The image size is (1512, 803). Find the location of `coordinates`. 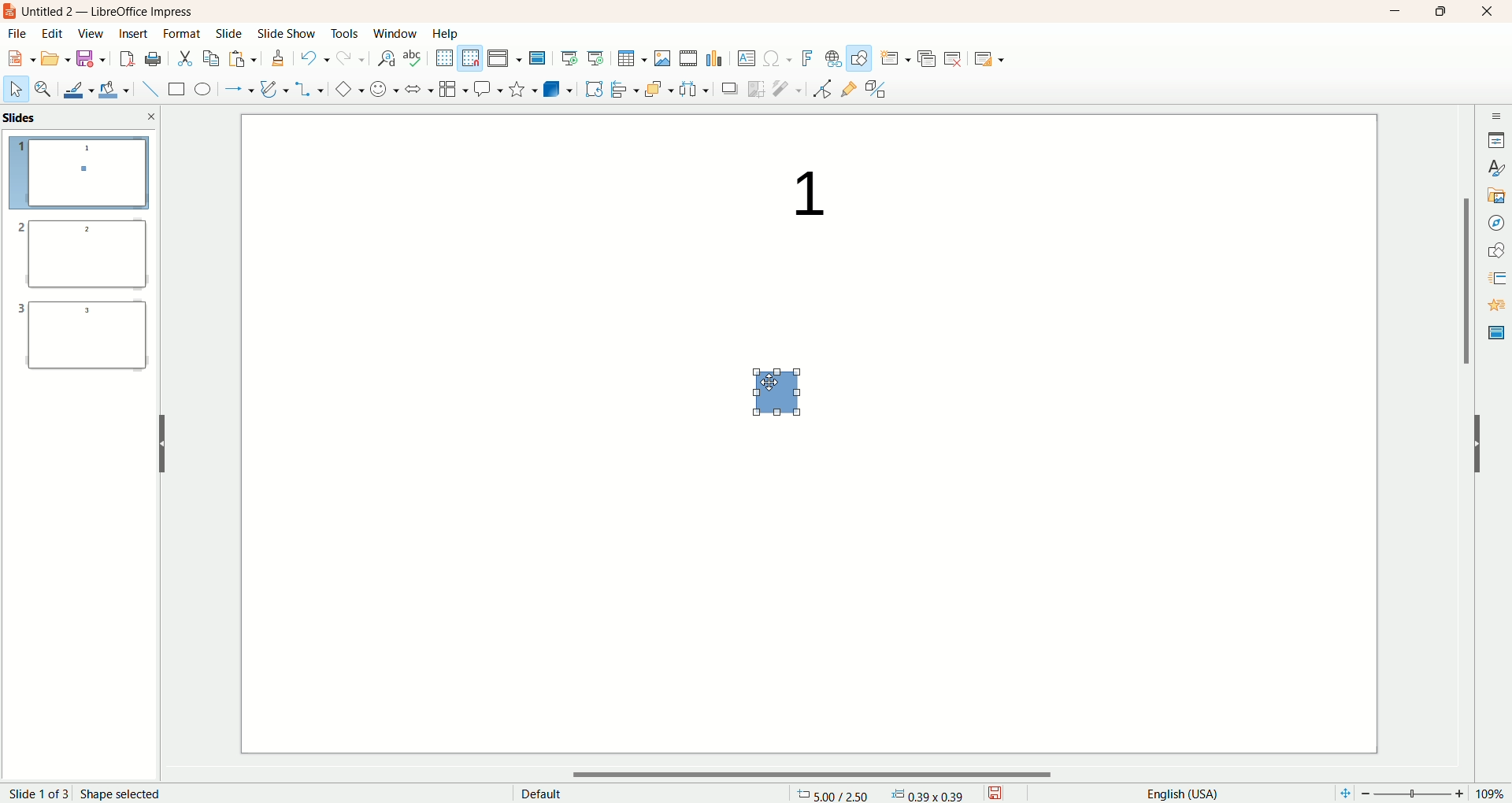

coordinates is located at coordinates (833, 794).